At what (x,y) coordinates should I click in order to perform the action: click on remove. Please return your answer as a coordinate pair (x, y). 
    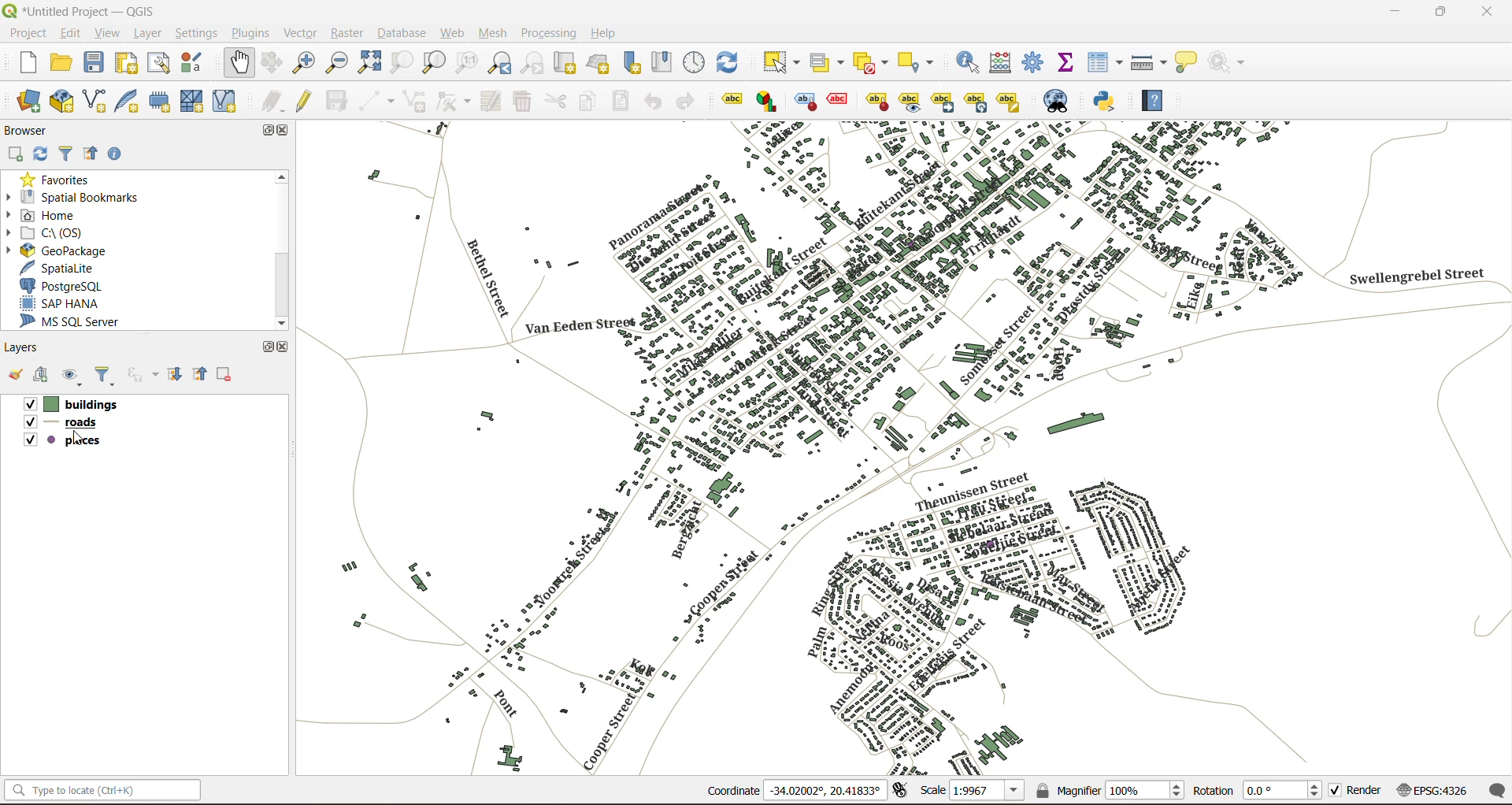
    Looking at the image, I should click on (223, 377).